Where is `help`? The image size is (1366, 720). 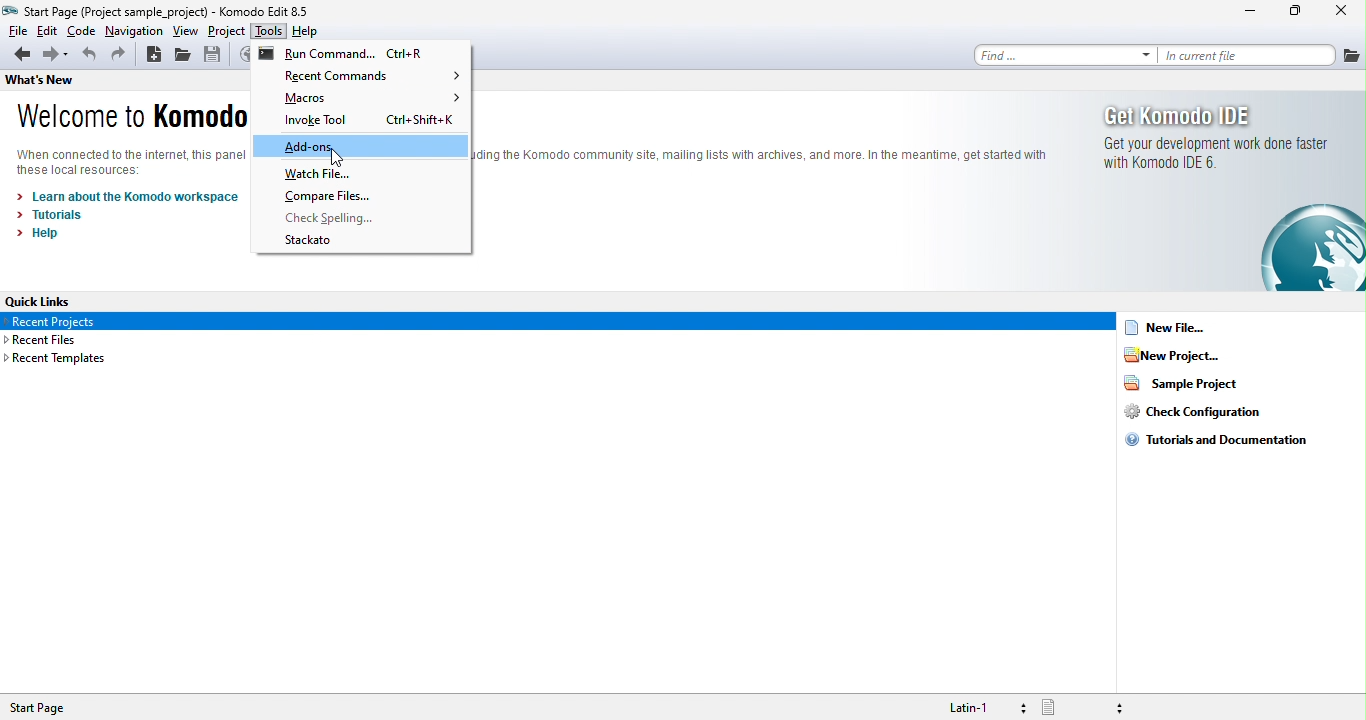
help is located at coordinates (316, 31).